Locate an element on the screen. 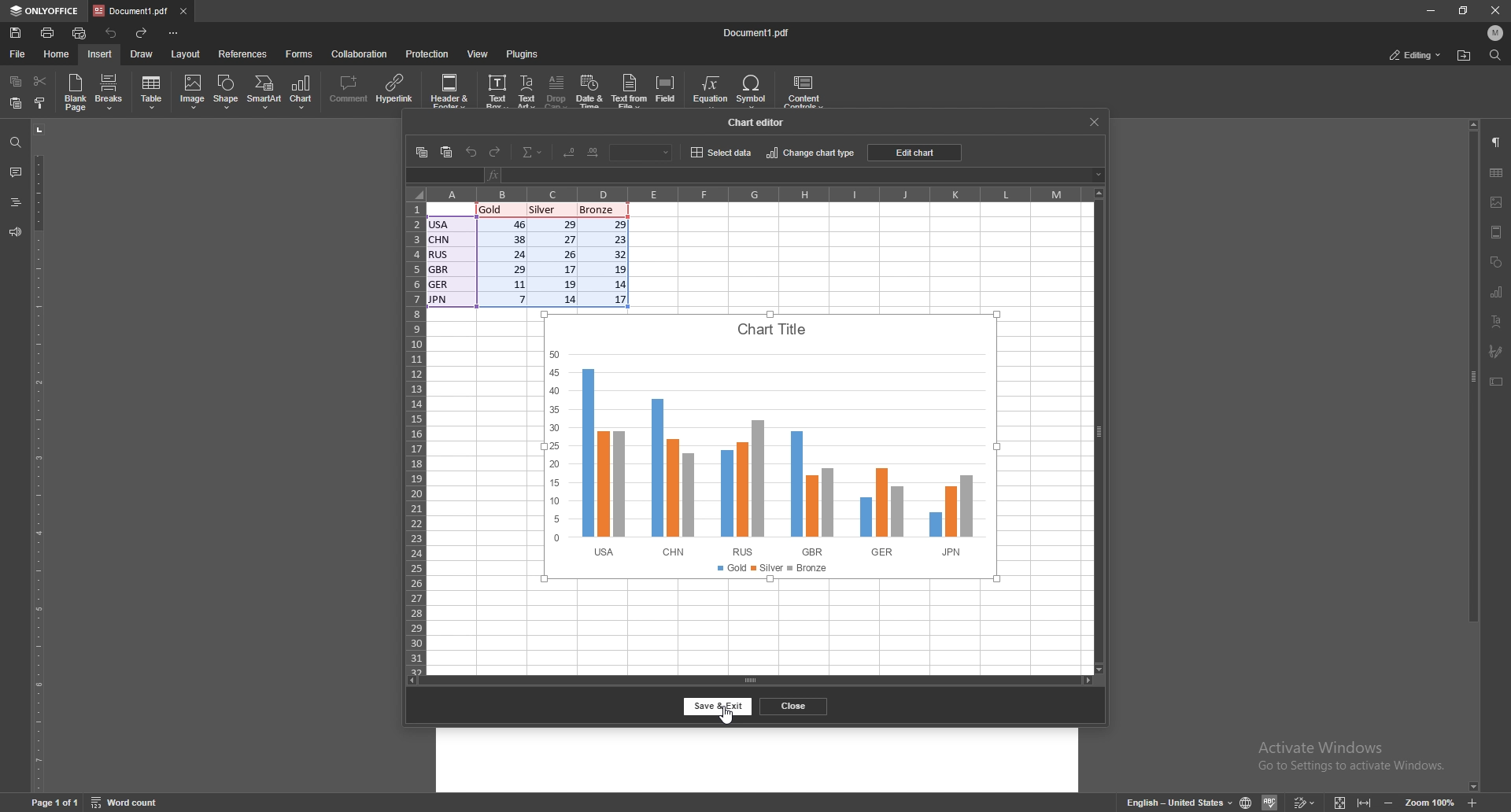 The height and width of the screenshot is (812, 1511). shapes is located at coordinates (1497, 262).